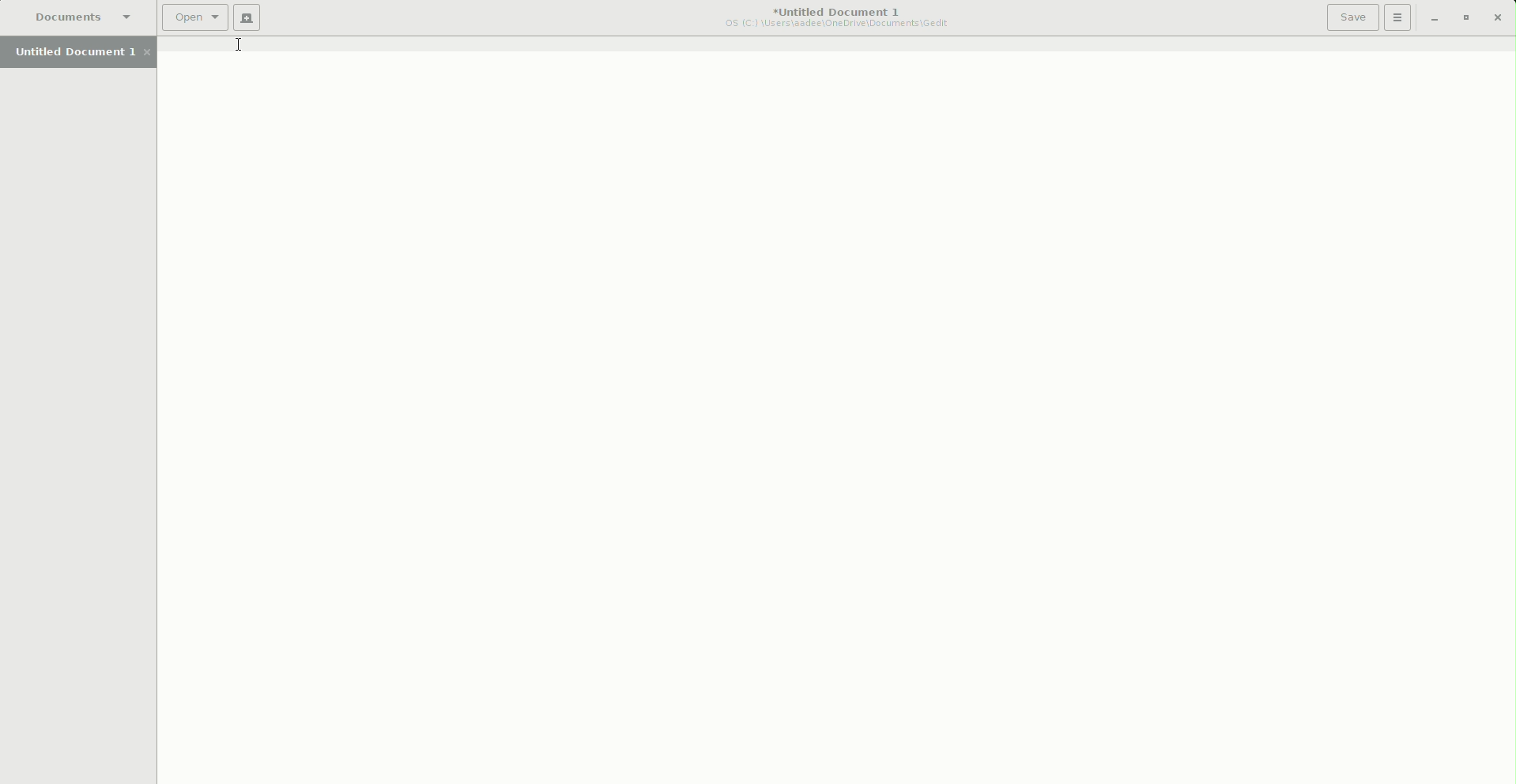 The width and height of the screenshot is (1516, 784). Describe the element at coordinates (238, 47) in the screenshot. I see `Cursor` at that location.